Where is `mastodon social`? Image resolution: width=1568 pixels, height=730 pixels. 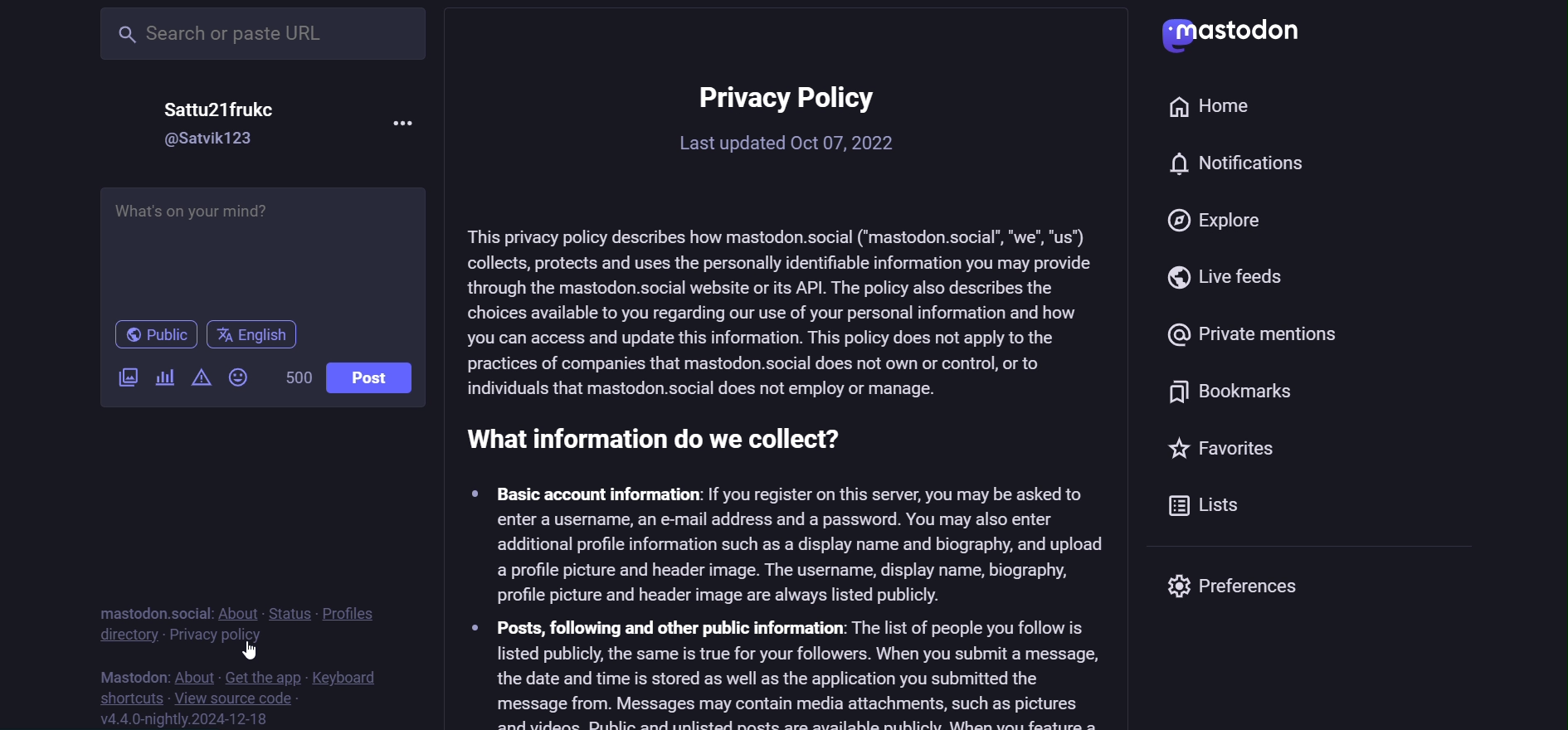
mastodon social is located at coordinates (158, 611).